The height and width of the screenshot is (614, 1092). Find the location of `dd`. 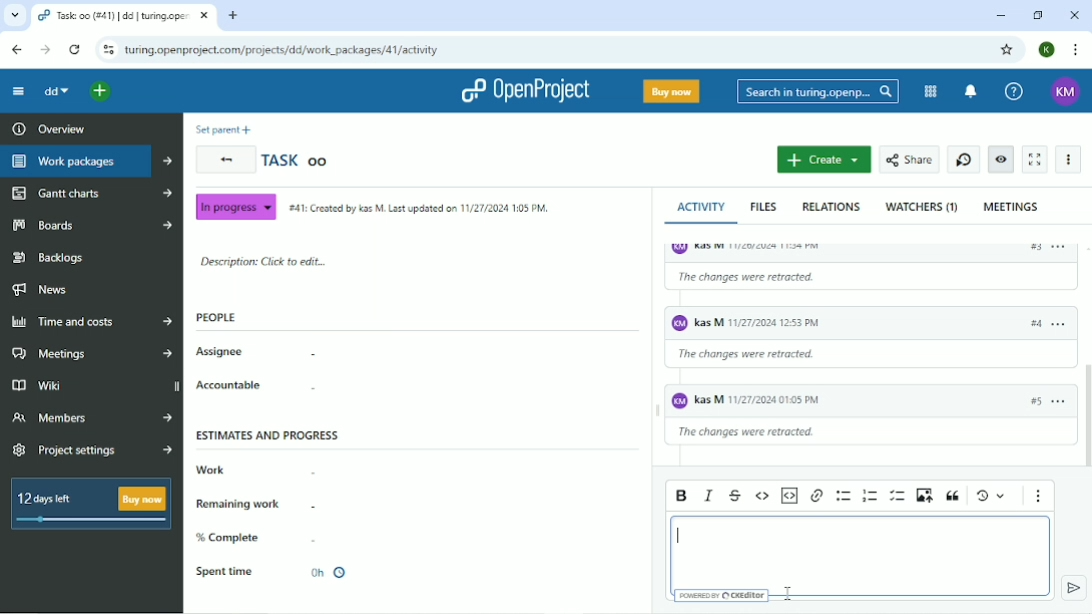

dd is located at coordinates (57, 93).